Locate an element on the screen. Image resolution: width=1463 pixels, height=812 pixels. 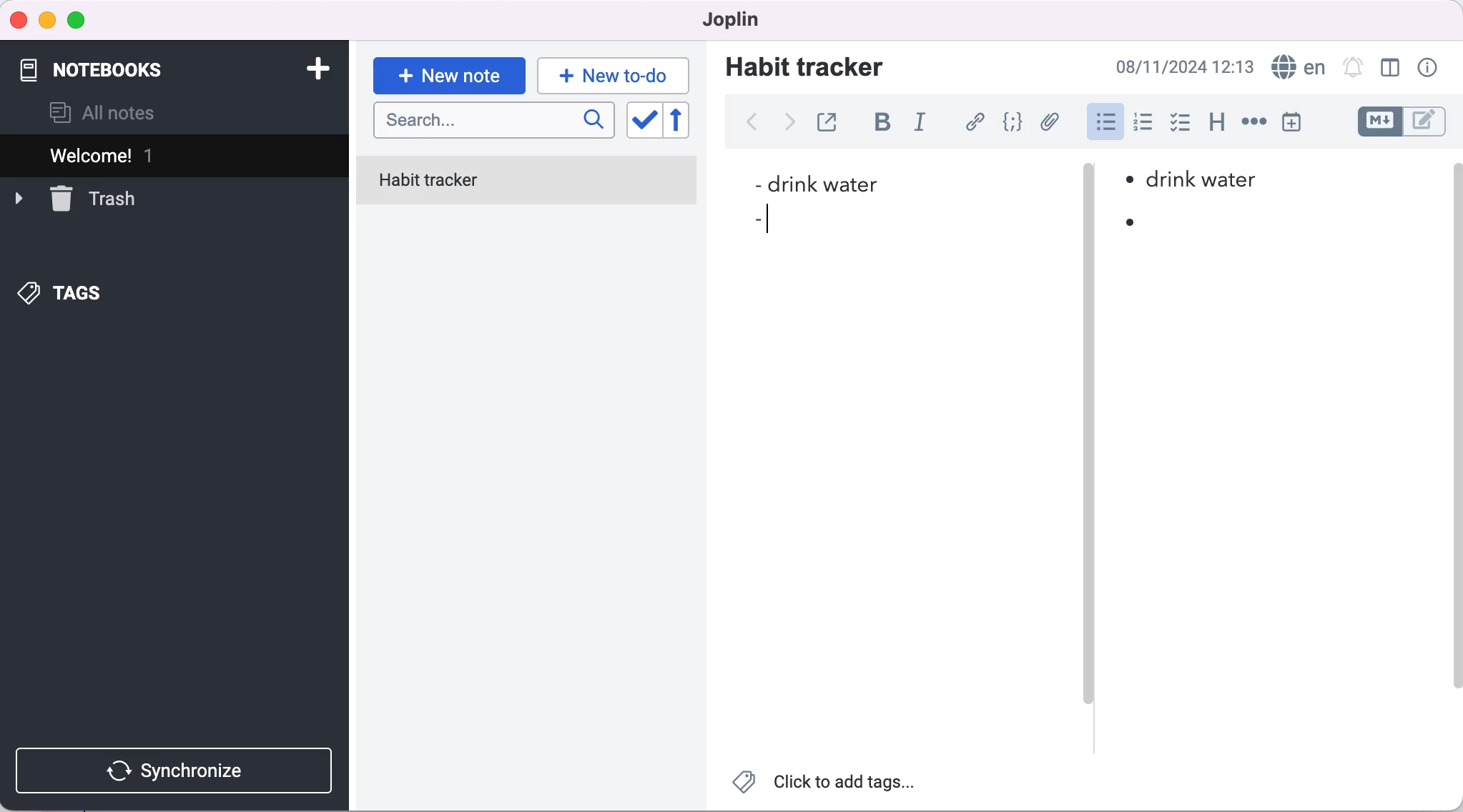
checkbox is located at coordinates (1181, 124).